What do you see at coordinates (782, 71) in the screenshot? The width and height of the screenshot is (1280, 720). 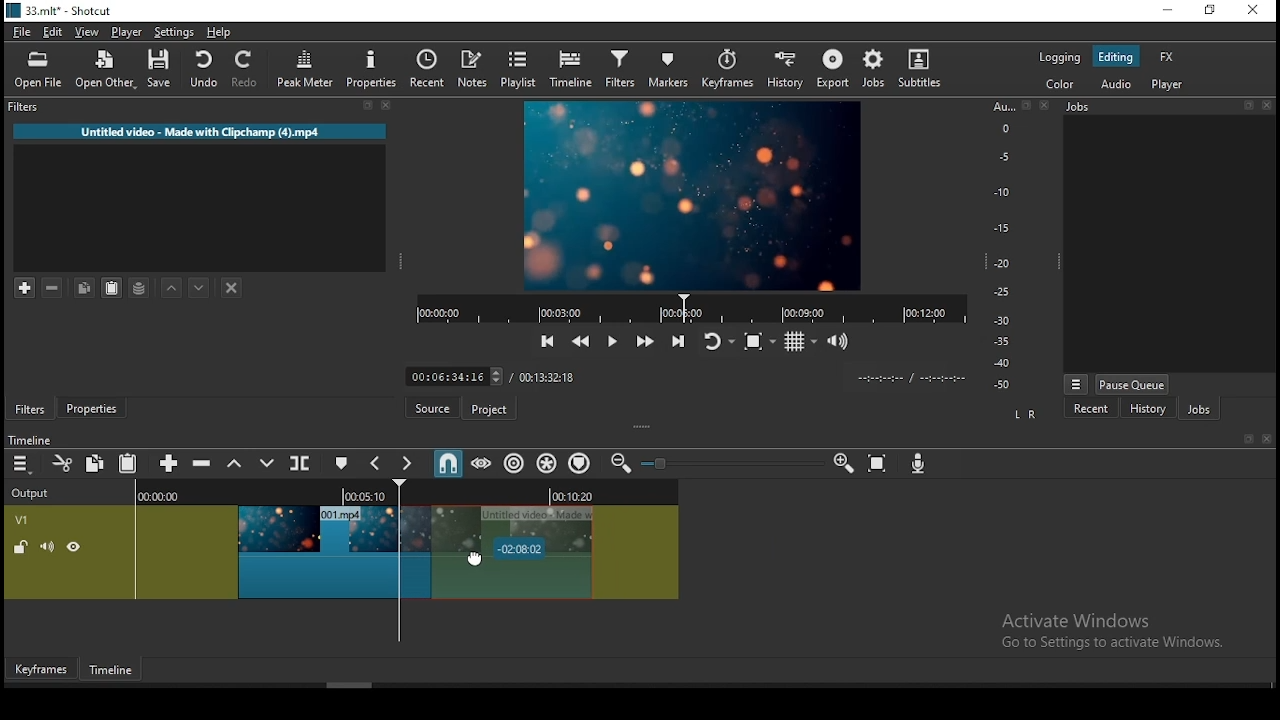 I see `history` at bounding box center [782, 71].